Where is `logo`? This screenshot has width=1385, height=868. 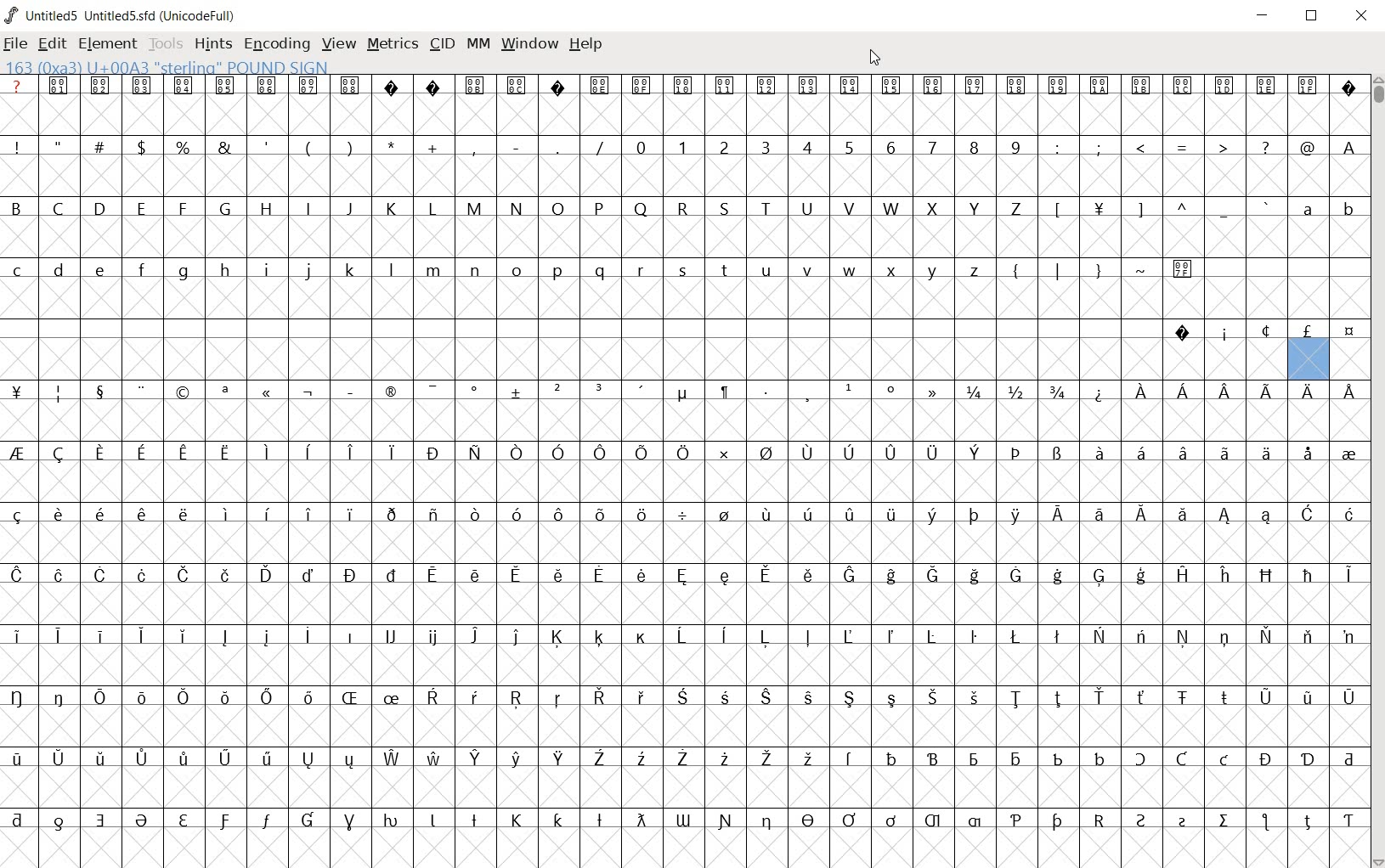
logo is located at coordinates (12, 14).